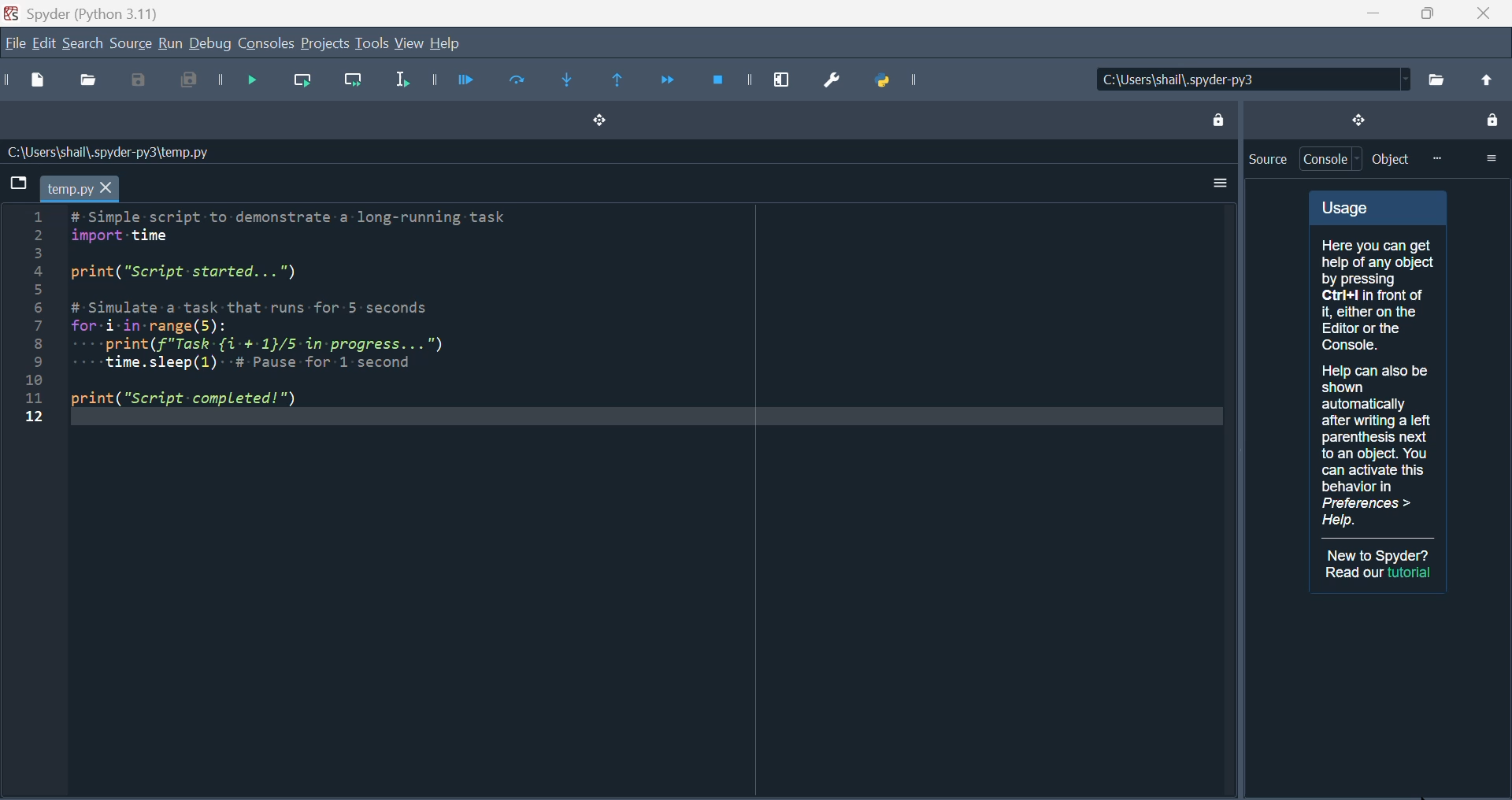  Describe the element at coordinates (267, 44) in the screenshot. I see `Console` at that location.